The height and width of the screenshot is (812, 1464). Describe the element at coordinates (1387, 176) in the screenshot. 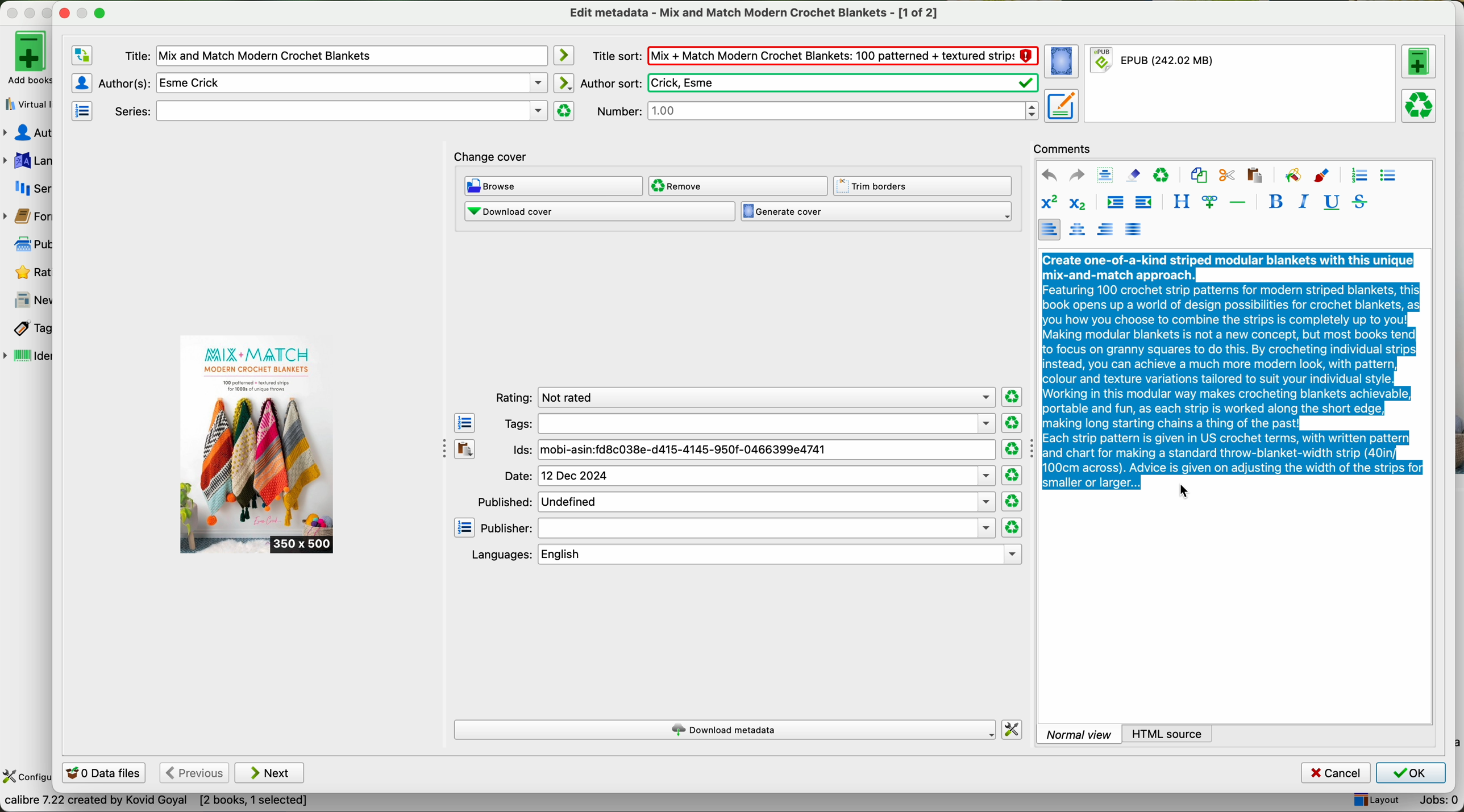

I see `unordered list` at that location.